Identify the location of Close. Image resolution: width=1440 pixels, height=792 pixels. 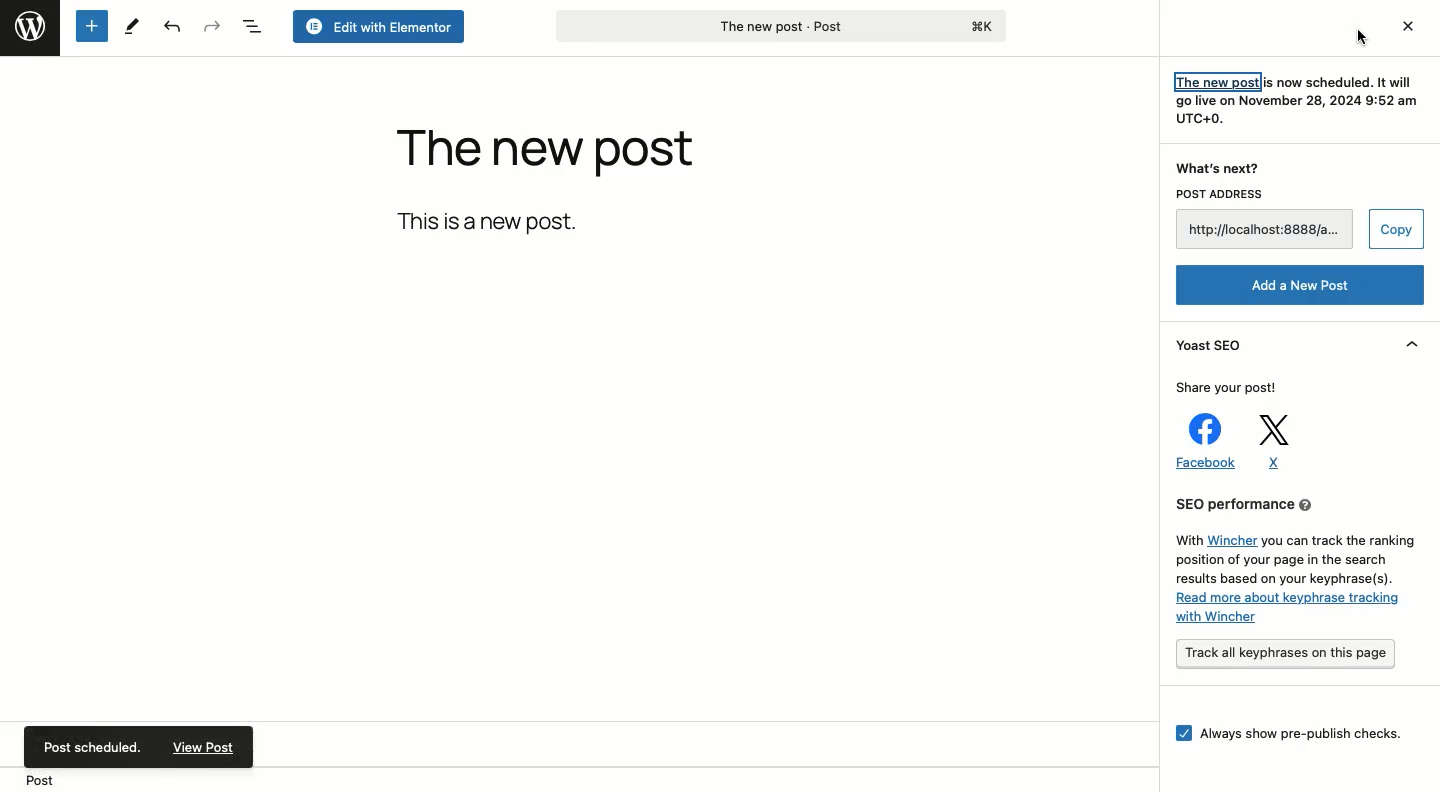
(1410, 24).